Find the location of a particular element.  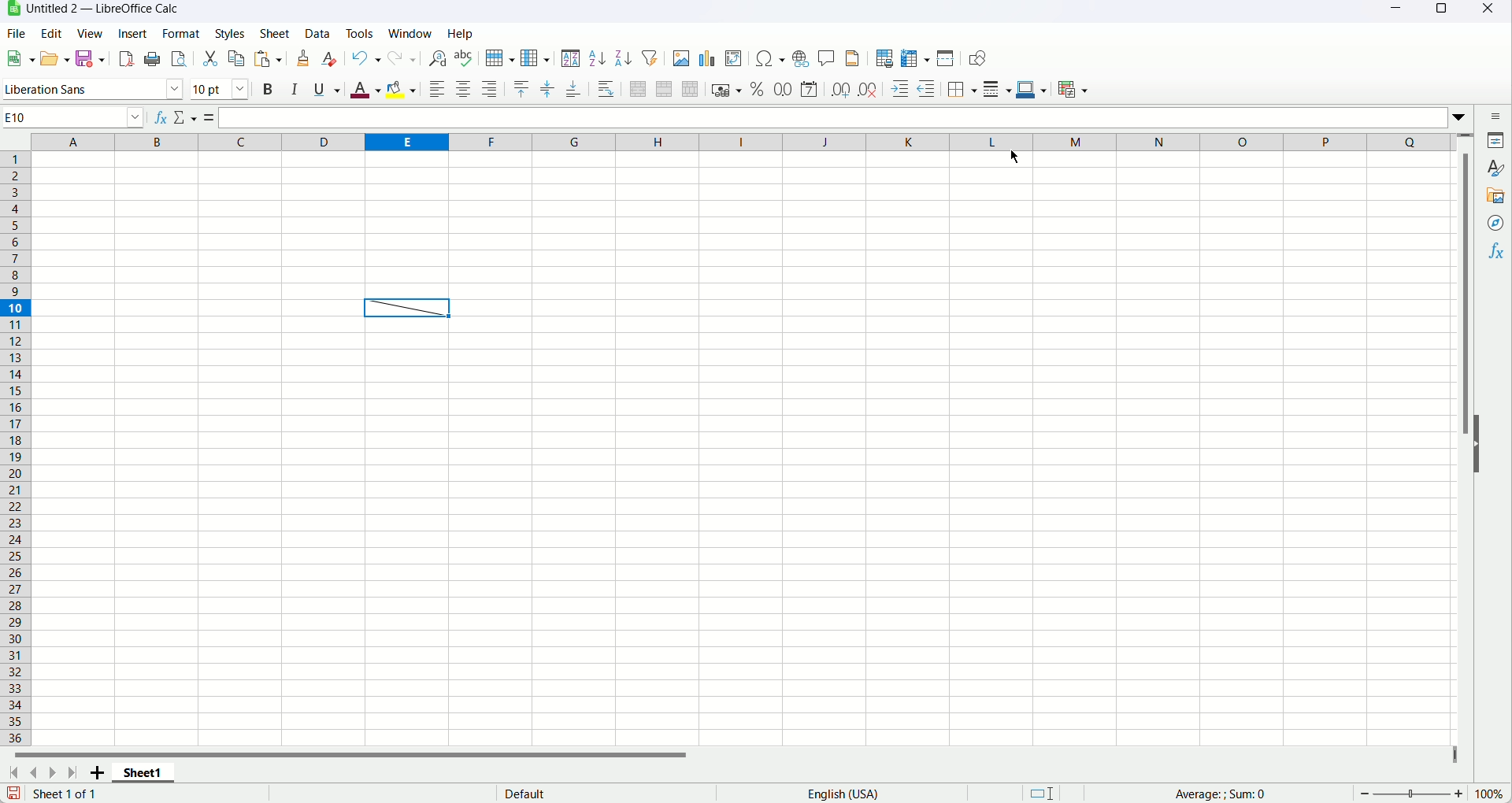

Borders is located at coordinates (960, 89).